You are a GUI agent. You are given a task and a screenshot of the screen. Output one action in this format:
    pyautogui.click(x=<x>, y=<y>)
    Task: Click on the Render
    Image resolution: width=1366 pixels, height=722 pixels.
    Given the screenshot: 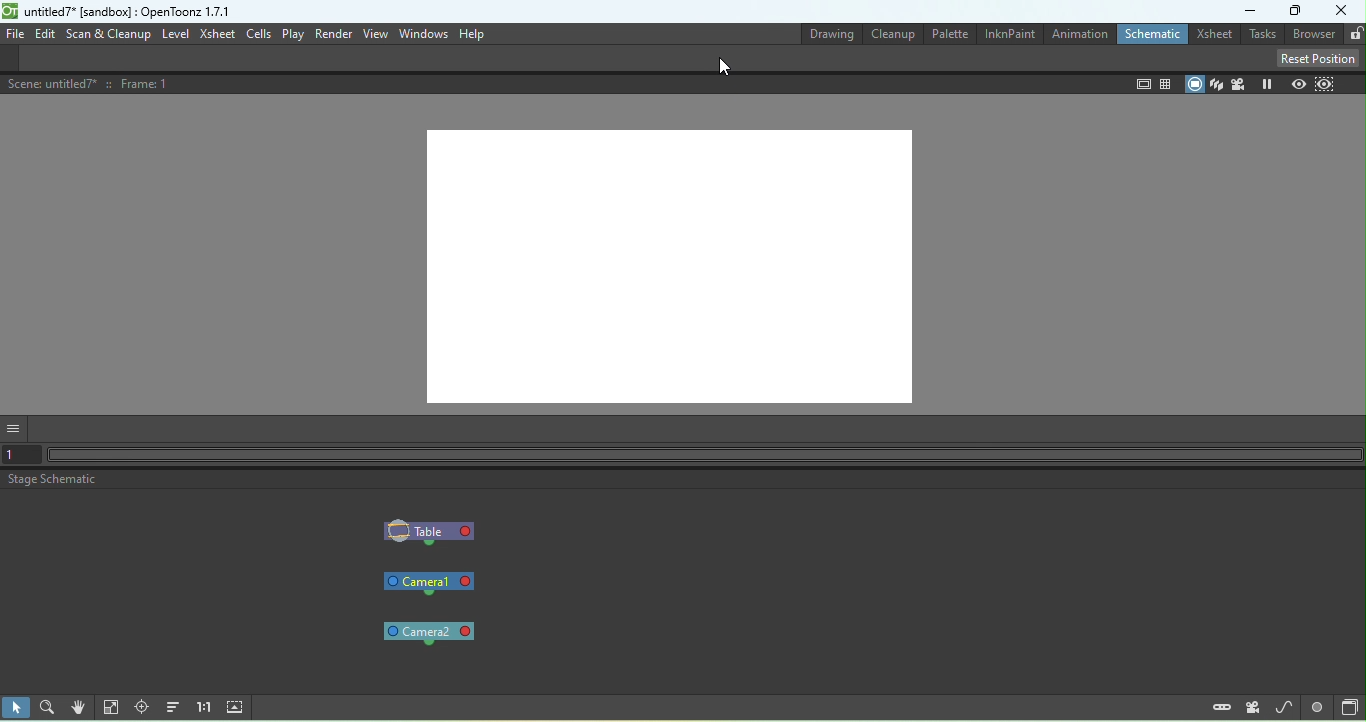 What is the action you would take?
    pyautogui.click(x=334, y=34)
    